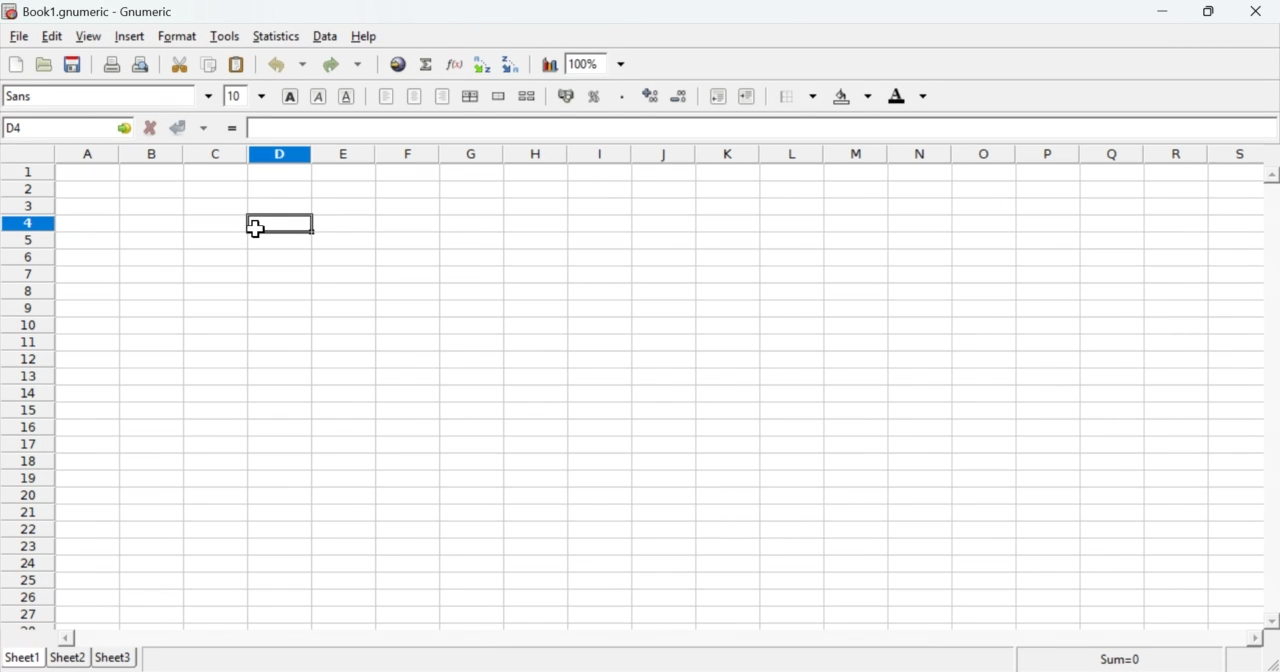 The image size is (1280, 672). Describe the element at coordinates (45, 65) in the screenshot. I see `Open` at that location.